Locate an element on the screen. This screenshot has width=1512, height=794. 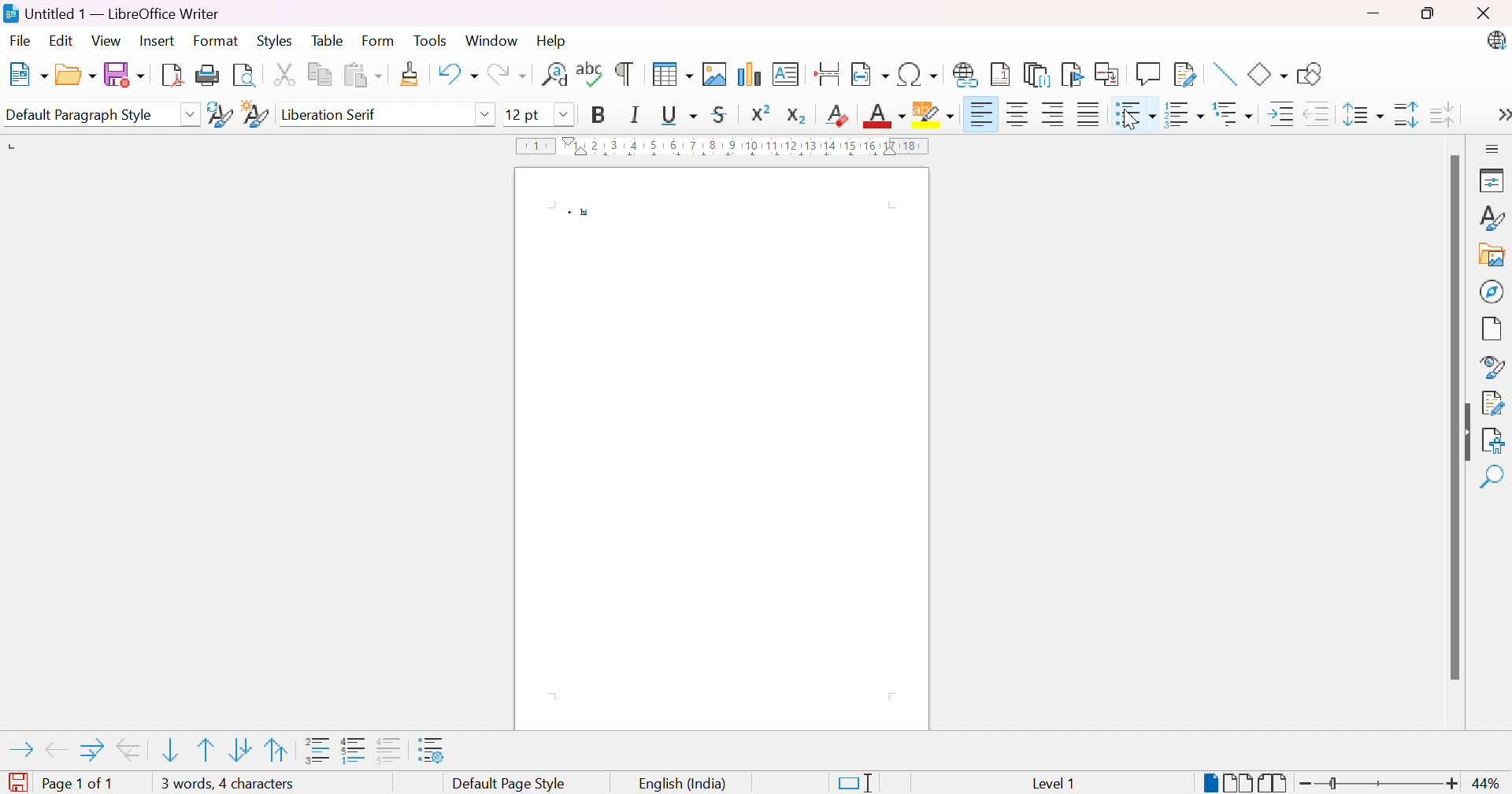
New is located at coordinates (28, 72).